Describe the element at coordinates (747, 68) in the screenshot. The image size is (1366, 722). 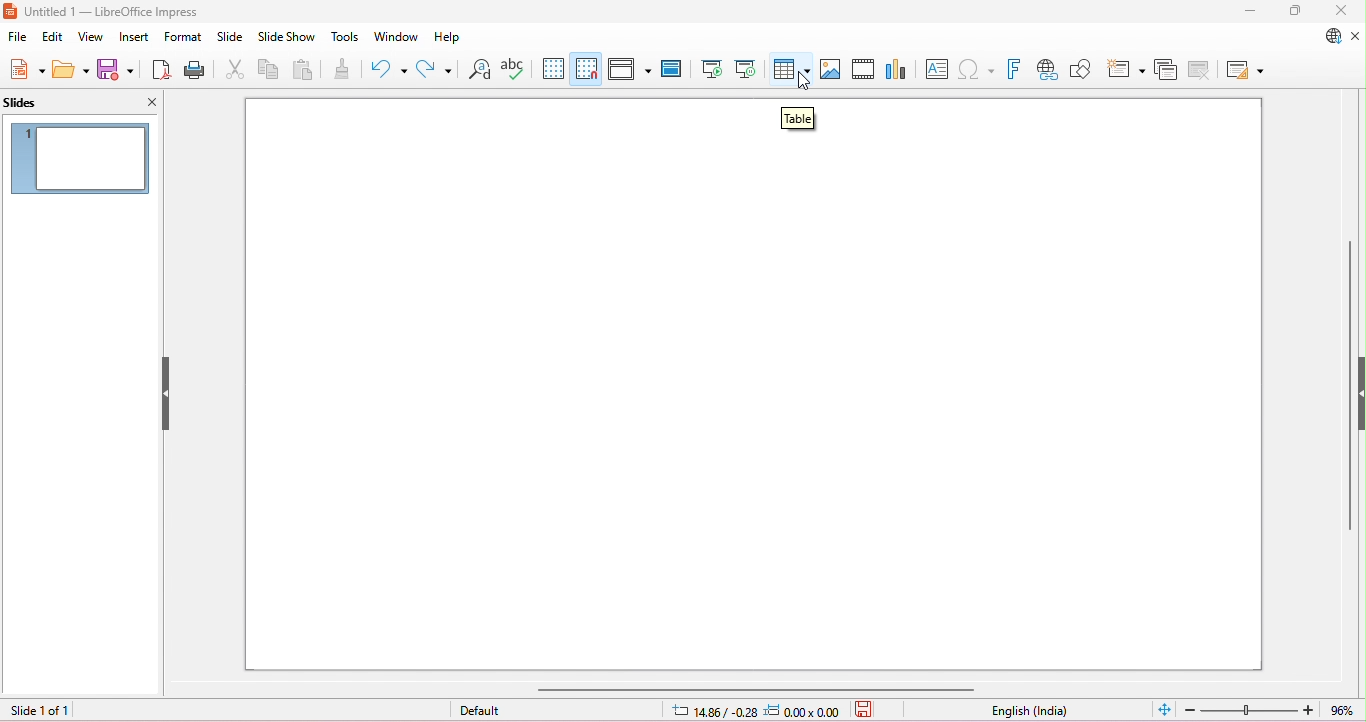
I see `start from current` at that location.